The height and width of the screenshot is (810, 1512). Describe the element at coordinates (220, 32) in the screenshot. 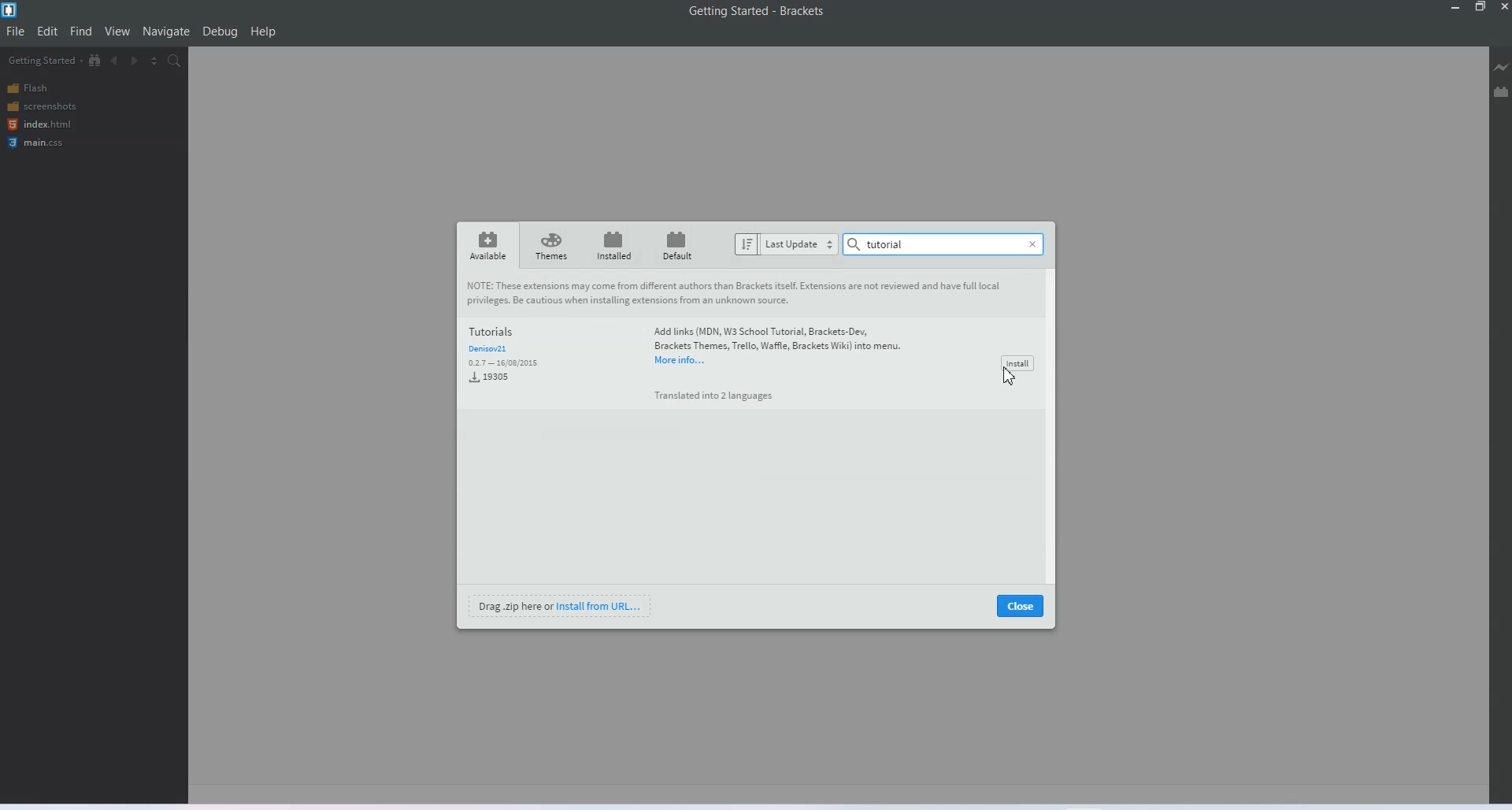

I see `Debug` at that location.